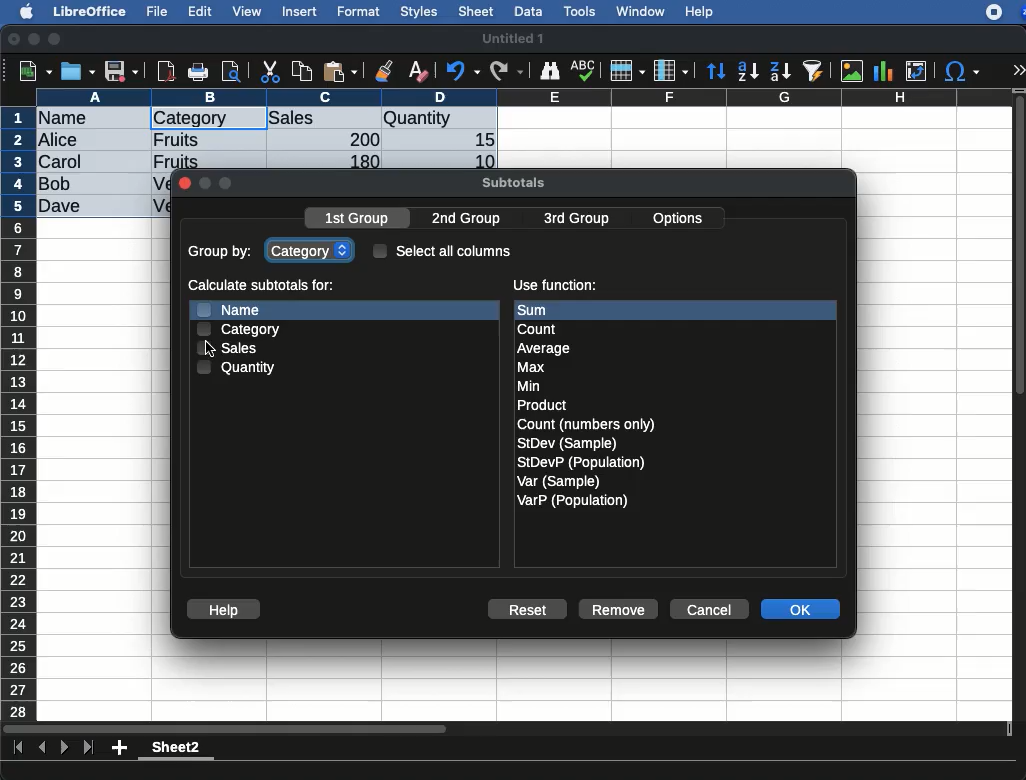 The height and width of the screenshot is (780, 1026). What do you see at coordinates (626, 71) in the screenshot?
I see `row` at bounding box center [626, 71].